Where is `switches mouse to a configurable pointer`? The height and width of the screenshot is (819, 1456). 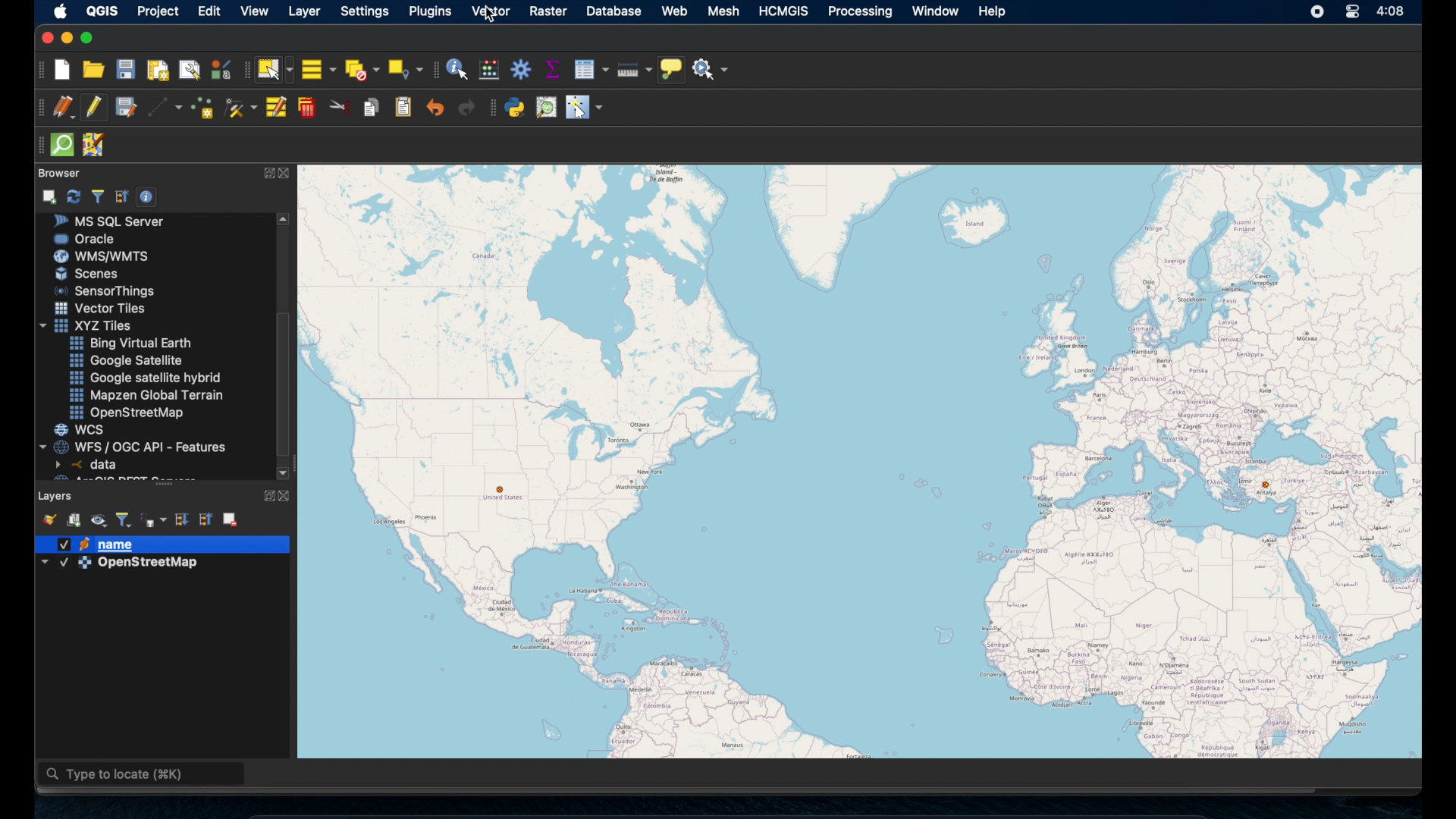 switches mouse to a configurable pointer is located at coordinates (584, 108).